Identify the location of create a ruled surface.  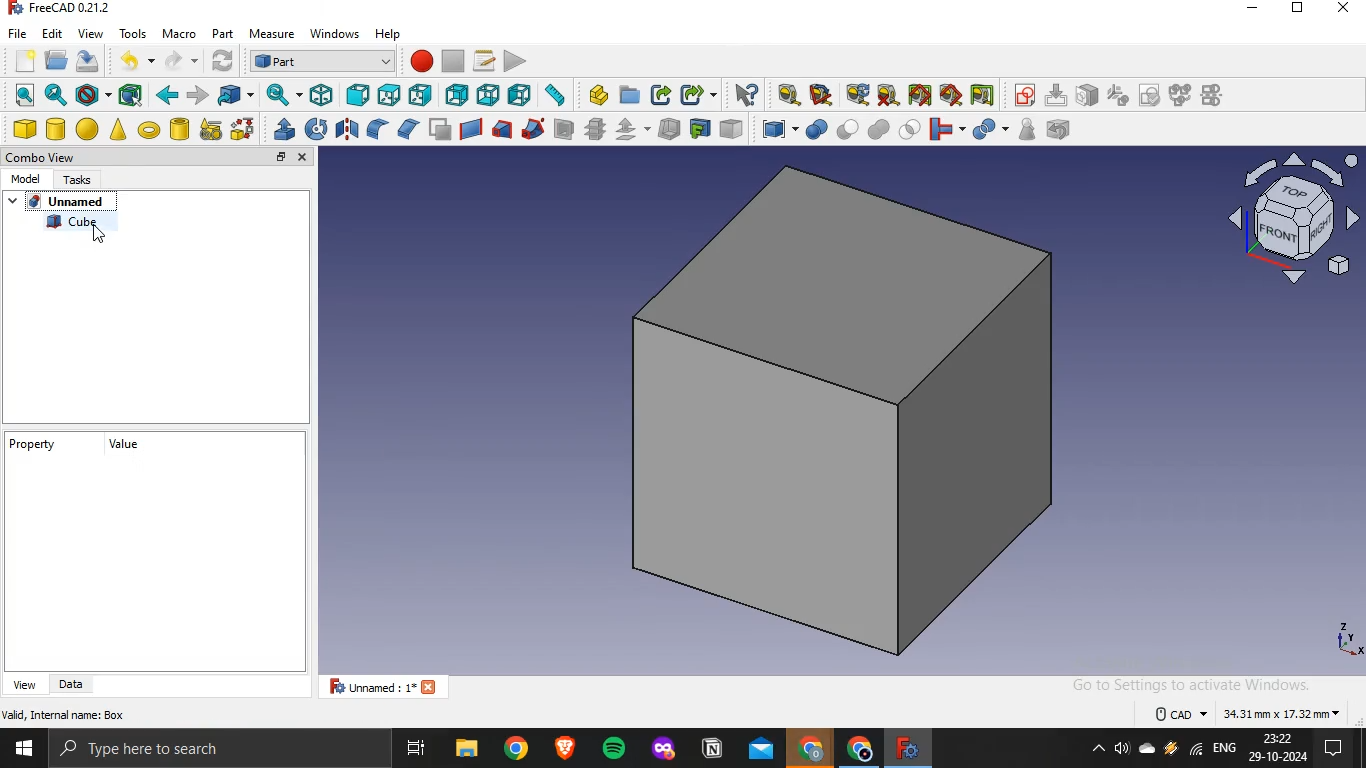
(471, 128).